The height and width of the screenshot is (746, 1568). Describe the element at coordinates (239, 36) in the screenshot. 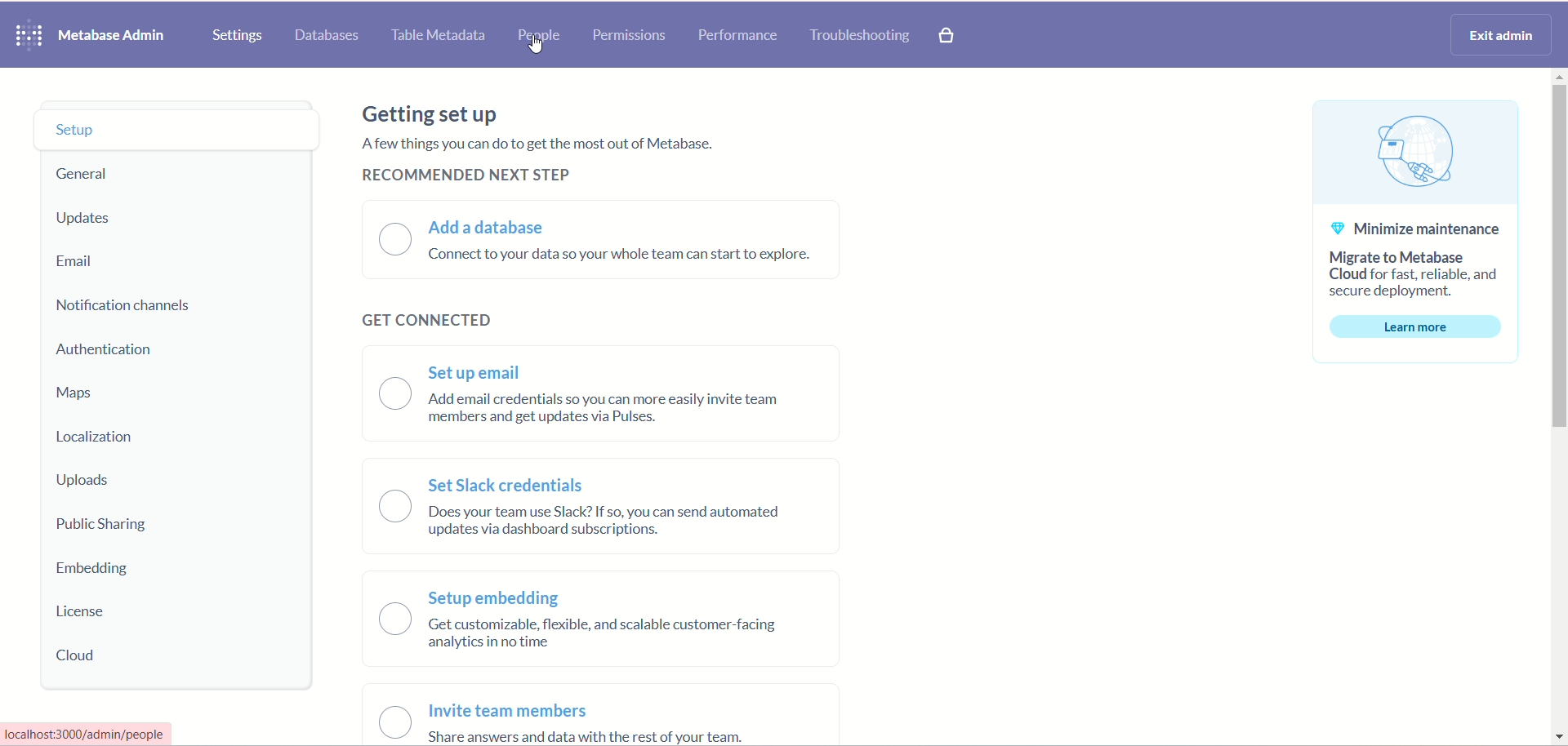

I see `ettings` at that location.